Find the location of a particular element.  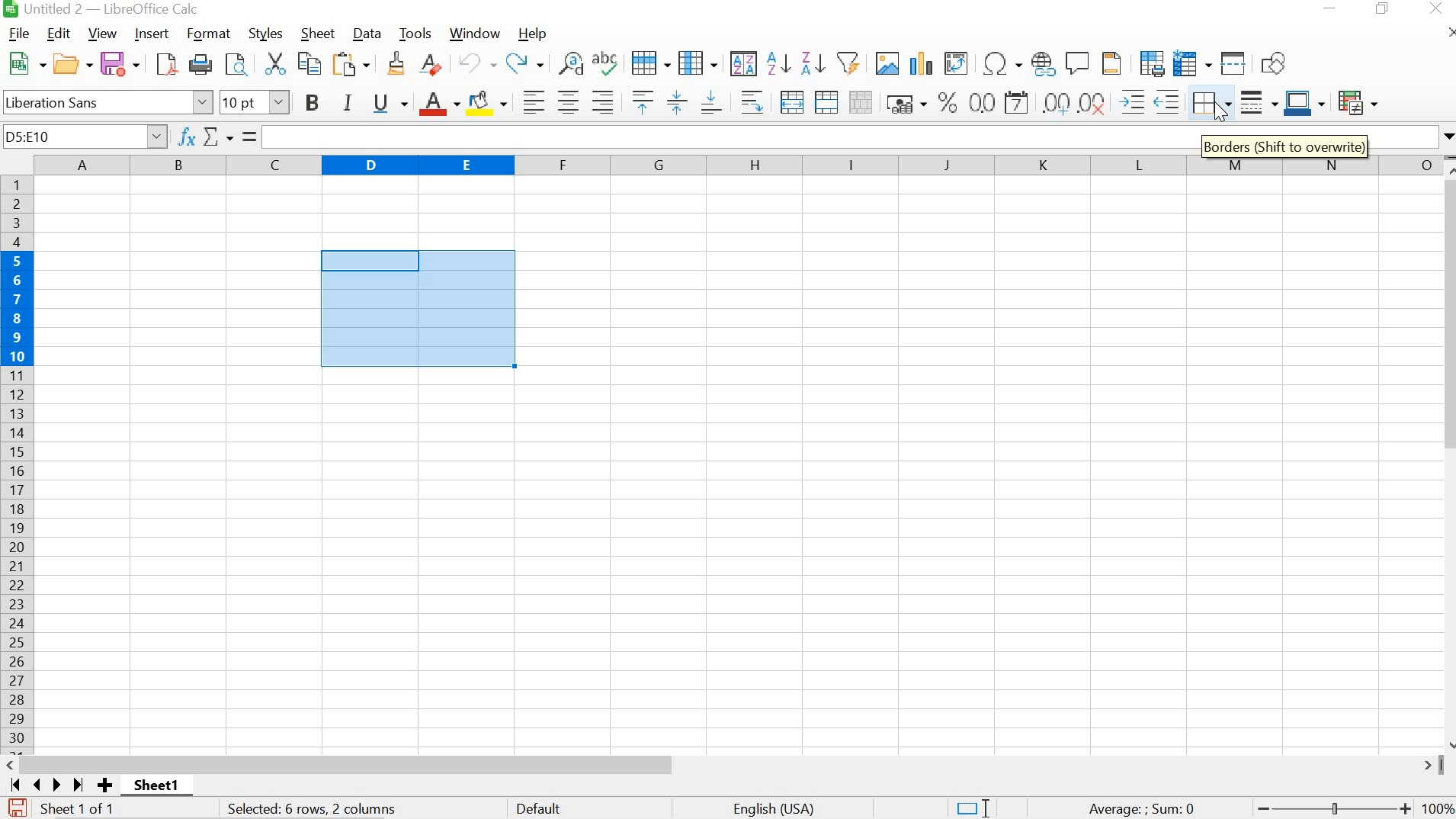

insert image is located at coordinates (886, 61).